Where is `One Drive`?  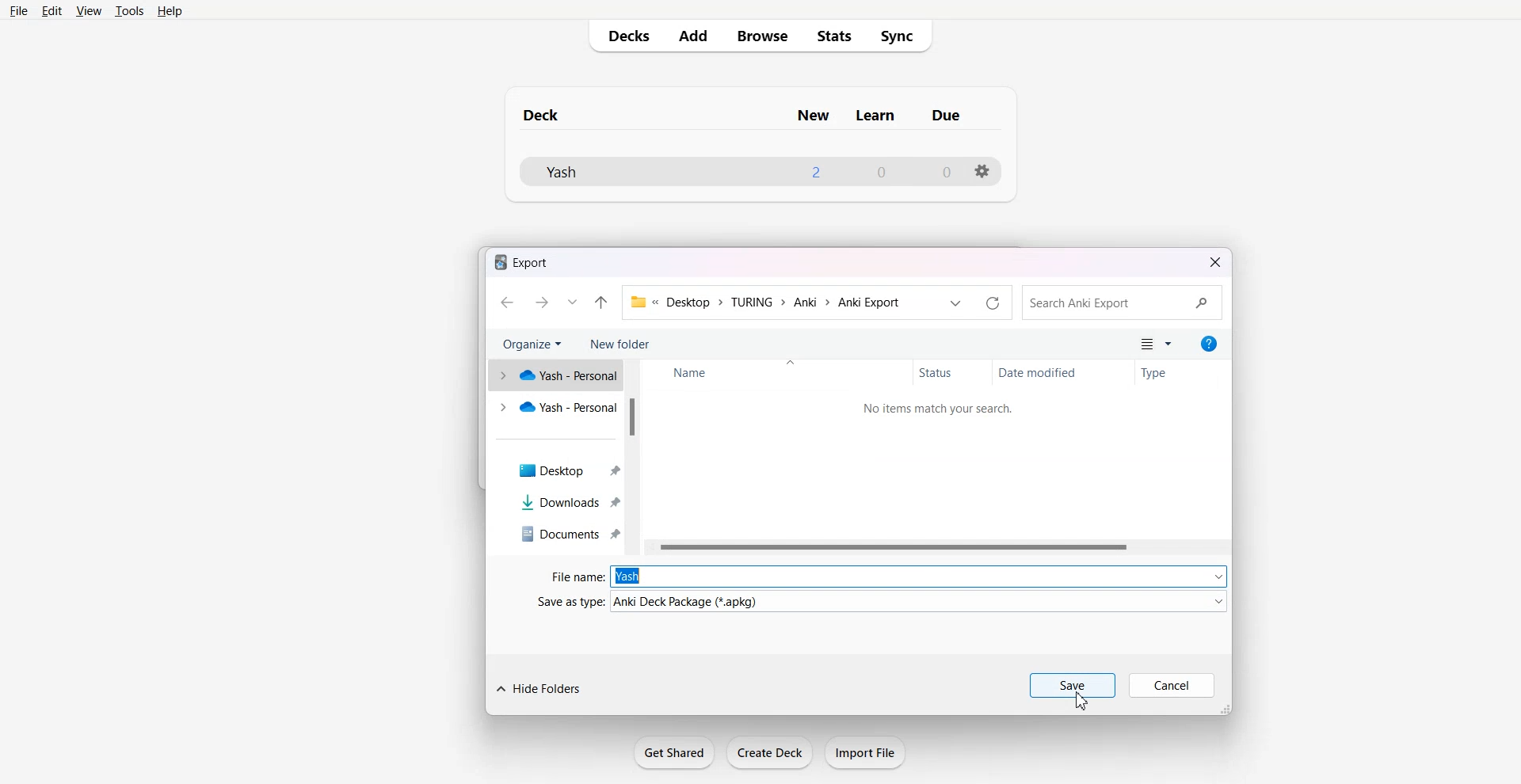
One Drive is located at coordinates (555, 376).